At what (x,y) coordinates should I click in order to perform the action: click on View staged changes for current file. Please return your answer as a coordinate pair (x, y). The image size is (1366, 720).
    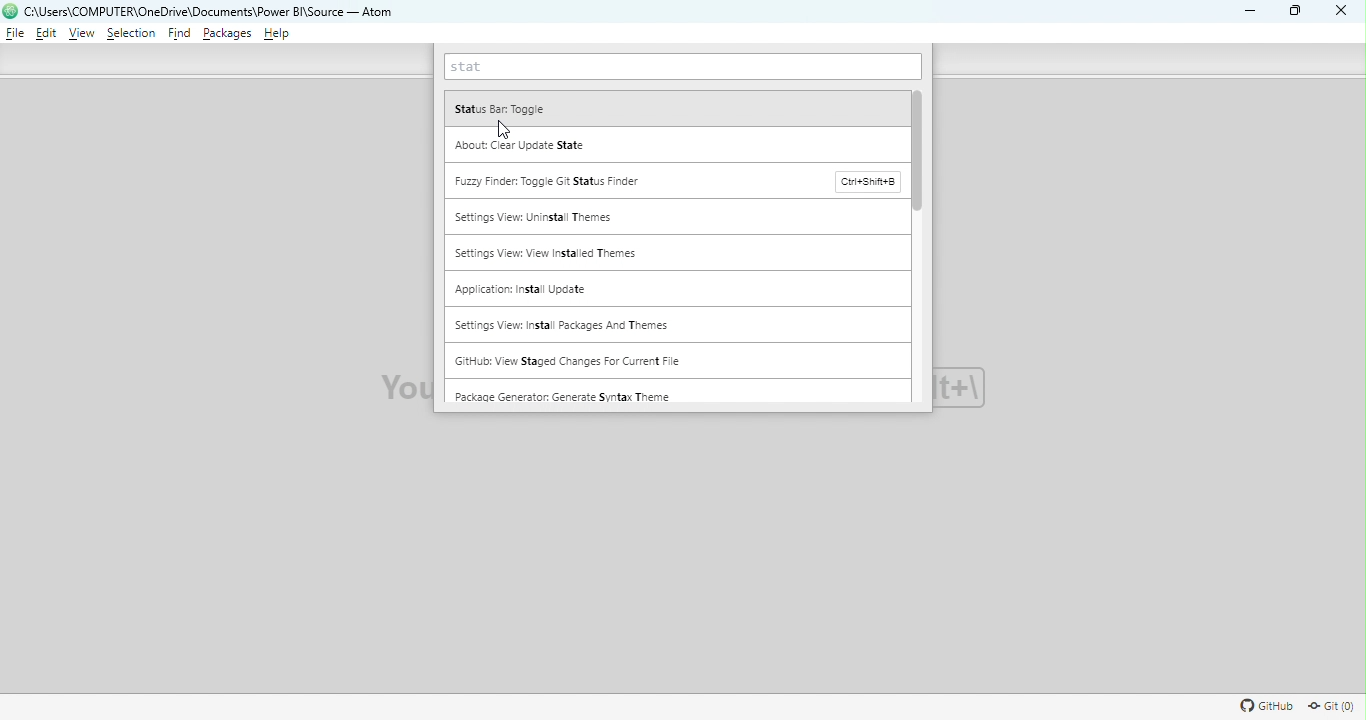
    Looking at the image, I should click on (615, 360).